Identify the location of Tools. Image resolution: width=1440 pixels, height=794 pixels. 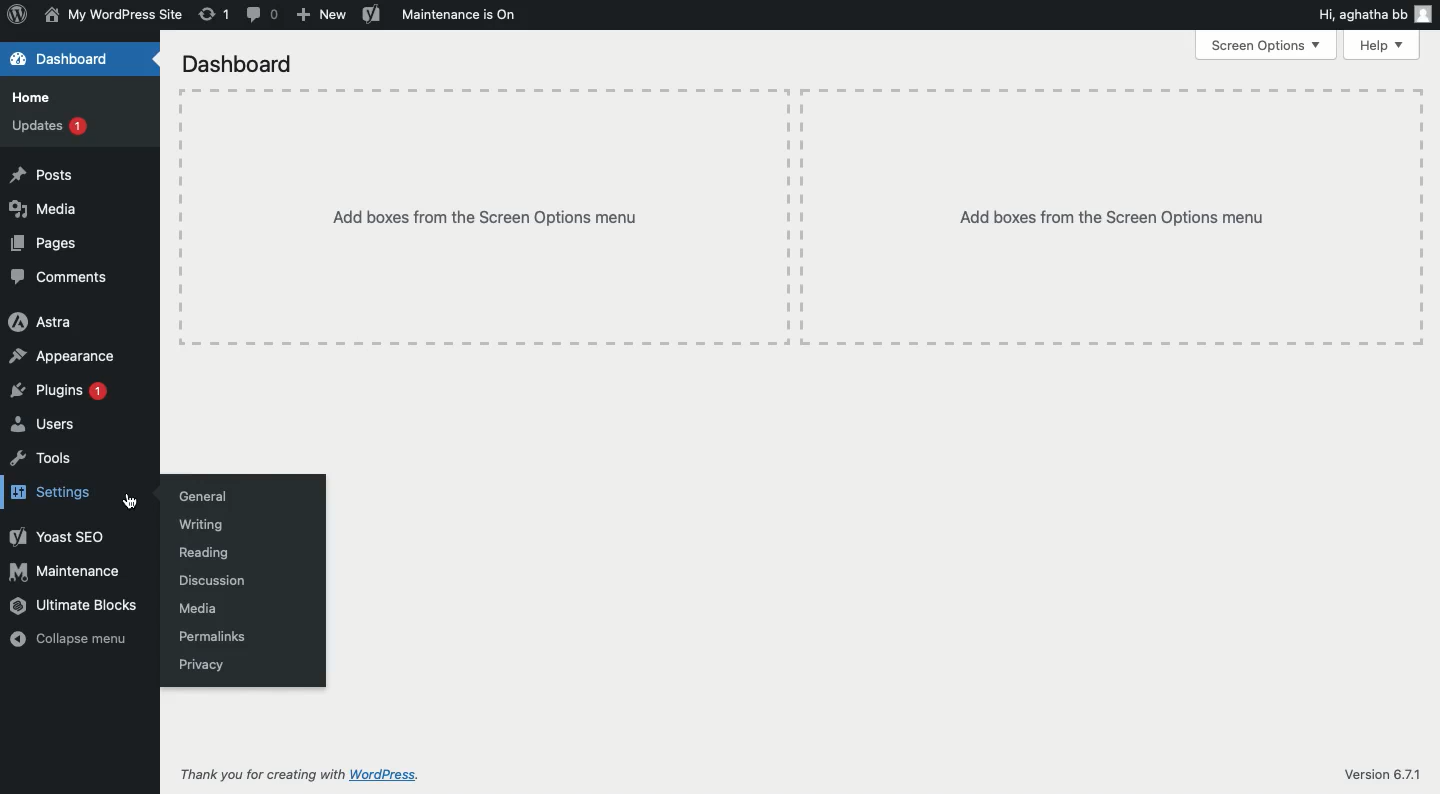
(43, 457).